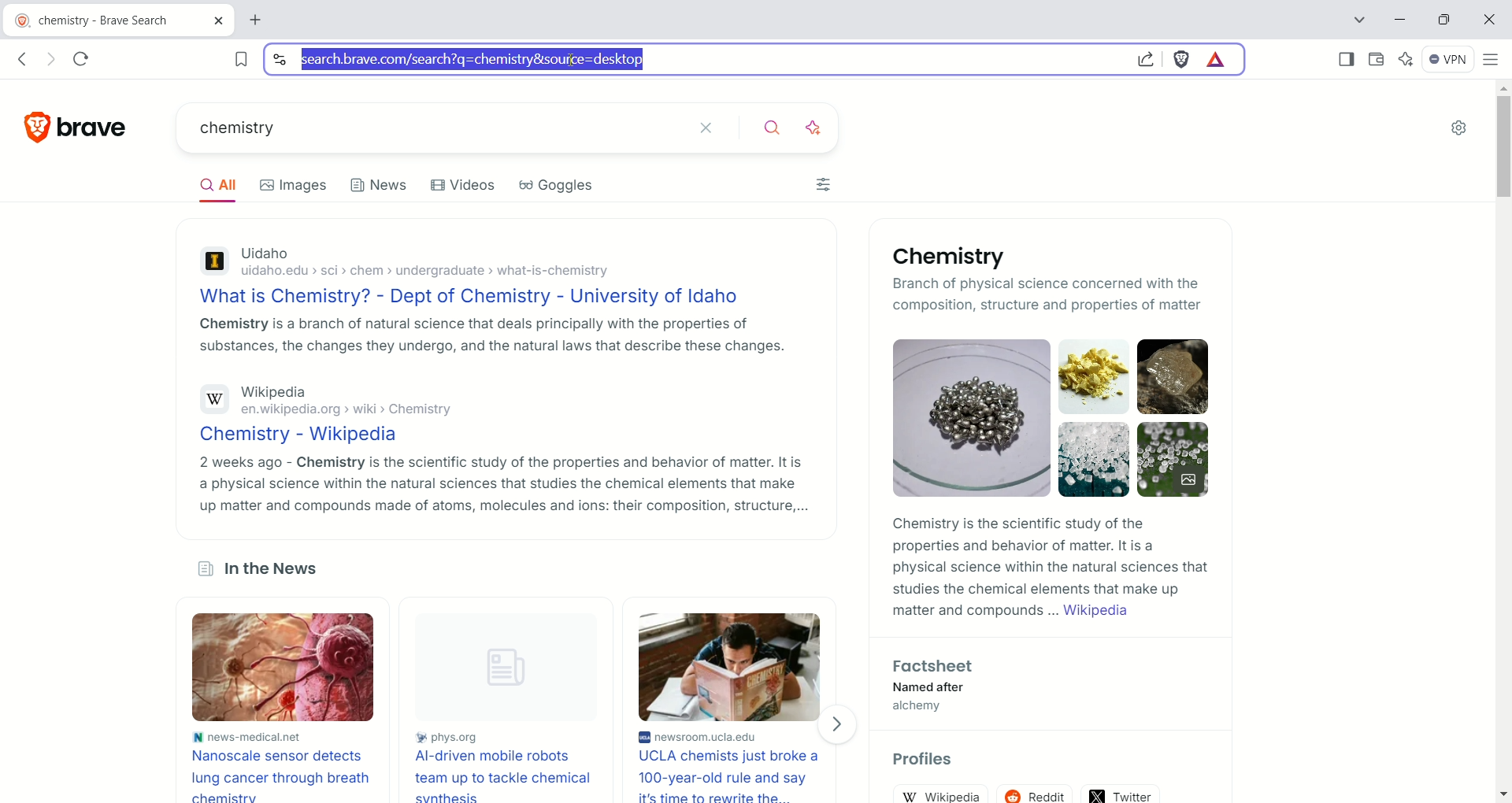 The height and width of the screenshot is (803, 1512). What do you see at coordinates (214, 399) in the screenshot?
I see `Wikipedia logo` at bounding box center [214, 399].